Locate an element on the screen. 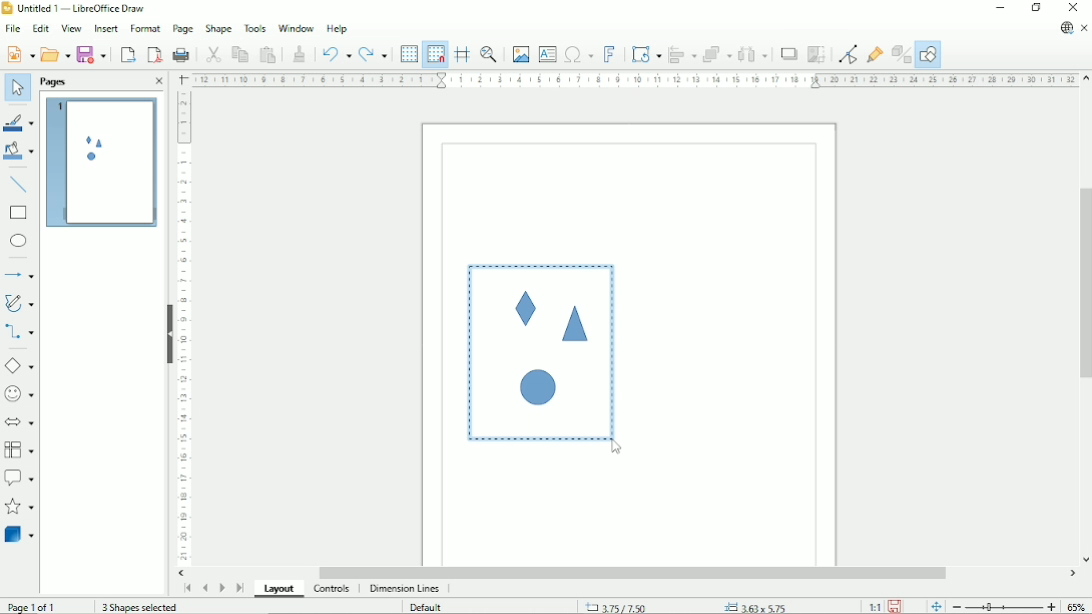  Minimize is located at coordinates (1000, 8).